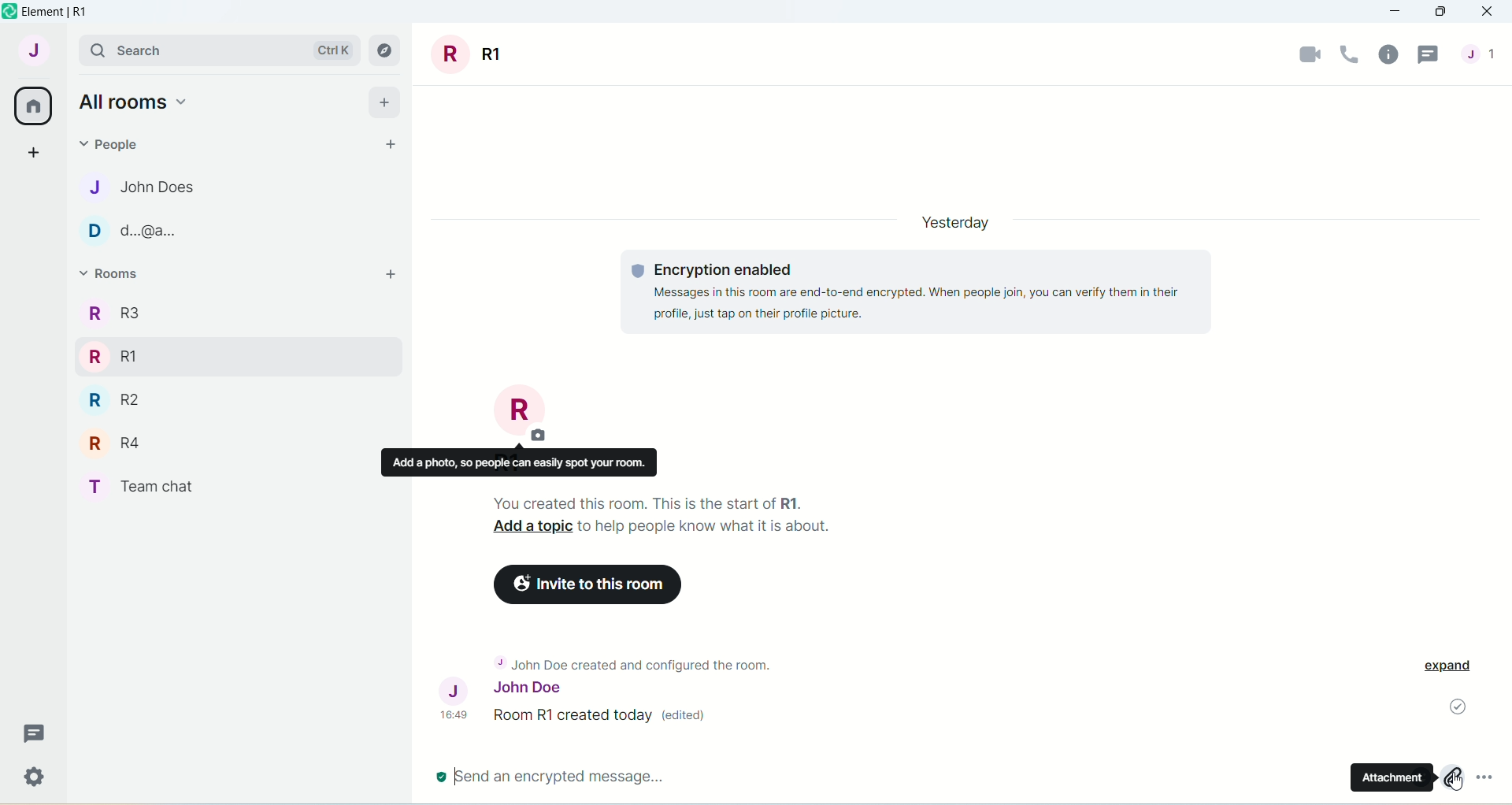 The image size is (1512, 805). Describe the element at coordinates (710, 525) in the screenshot. I see `to help people know what it is about.` at that location.